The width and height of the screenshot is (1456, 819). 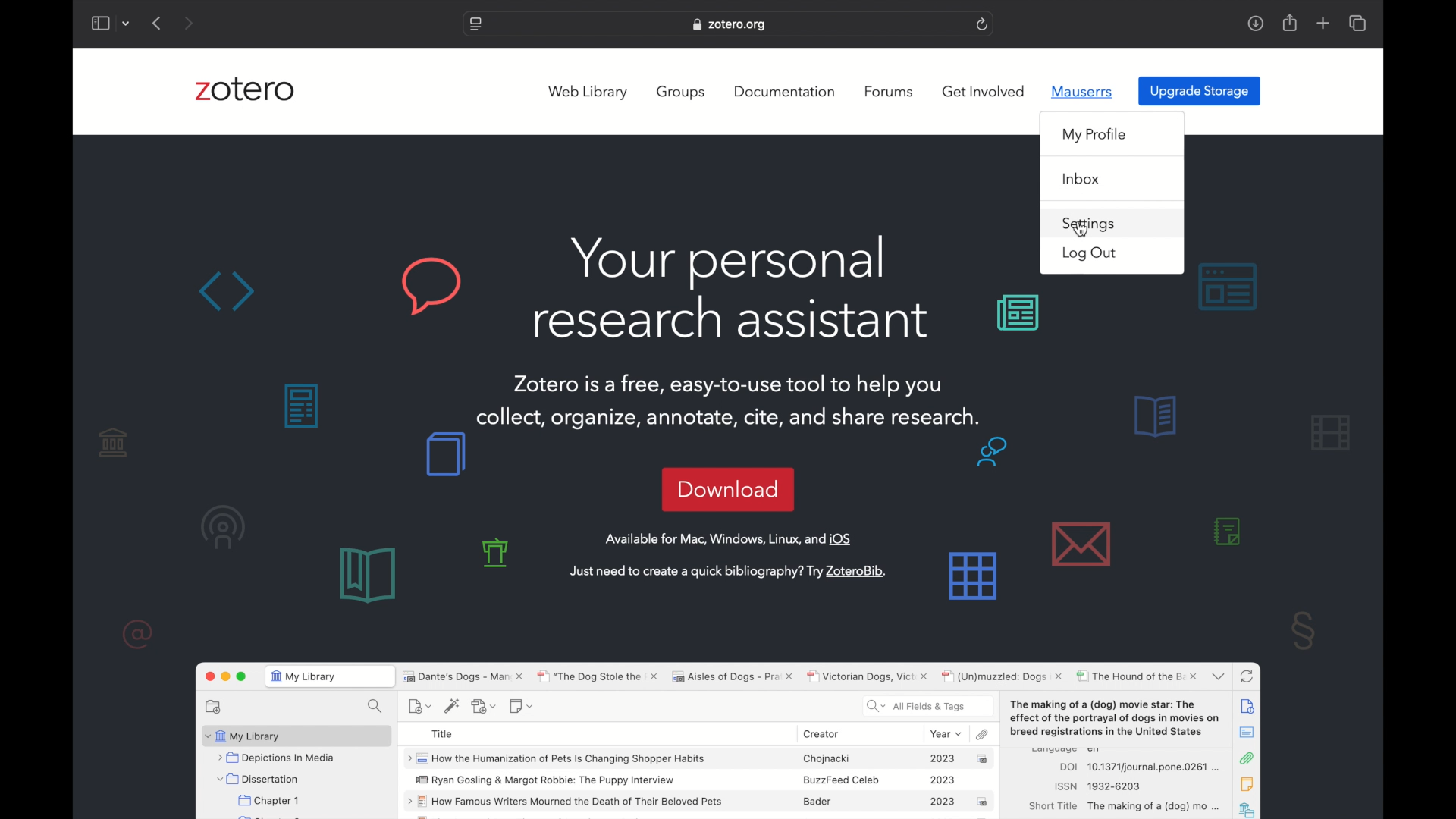 I want to click on settings, so click(x=1092, y=224).